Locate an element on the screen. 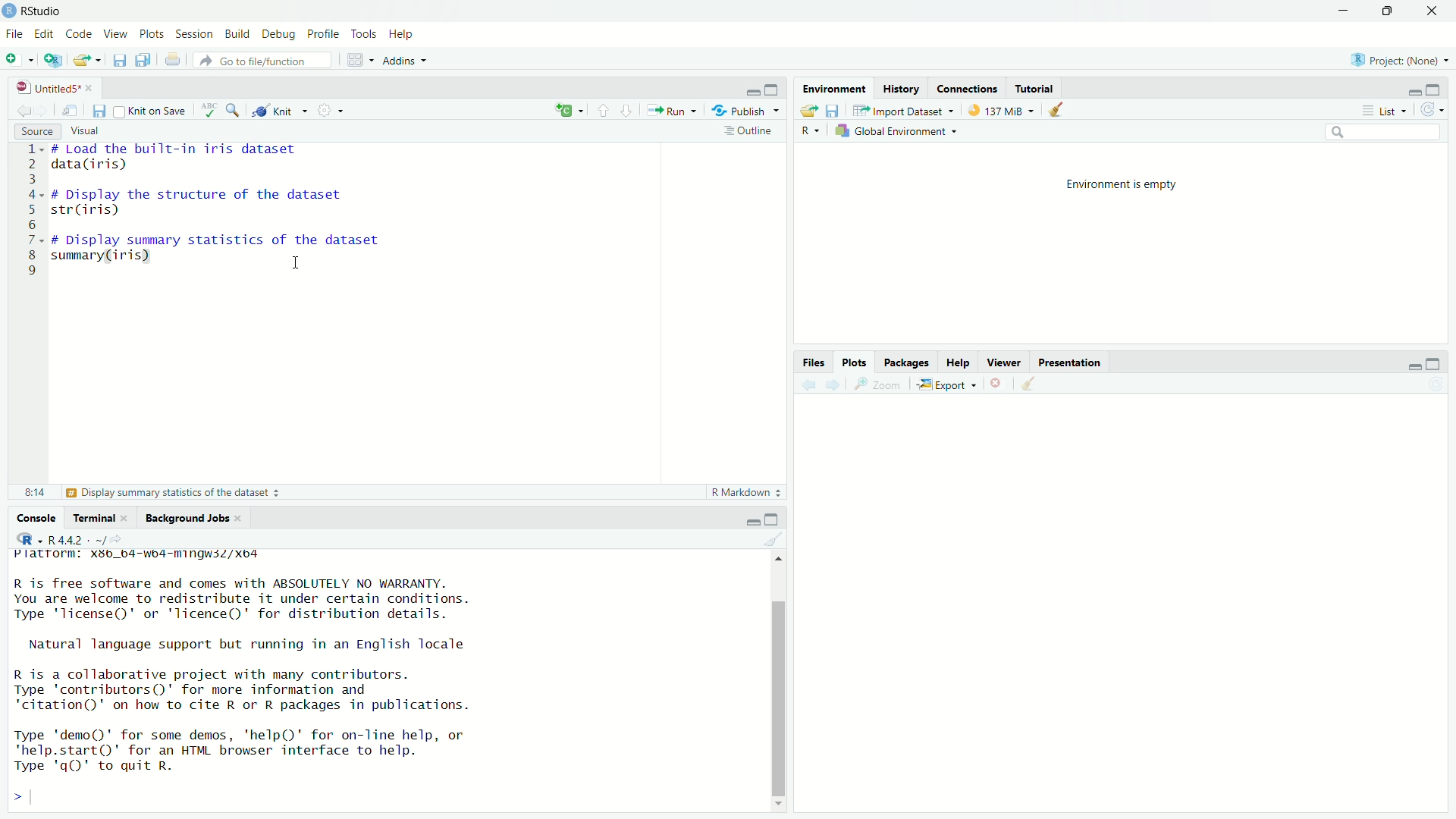  Run current line is located at coordinates (670, 108).